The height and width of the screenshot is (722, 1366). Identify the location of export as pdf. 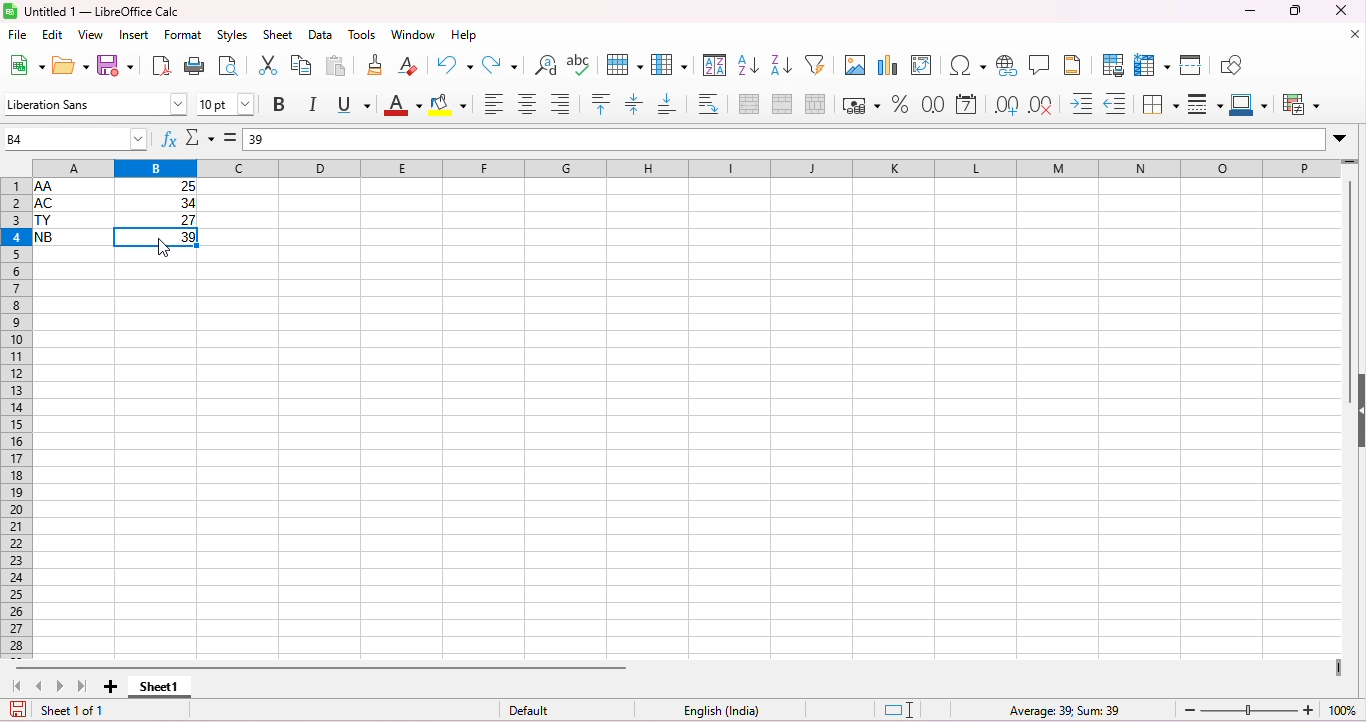
(161, 65).